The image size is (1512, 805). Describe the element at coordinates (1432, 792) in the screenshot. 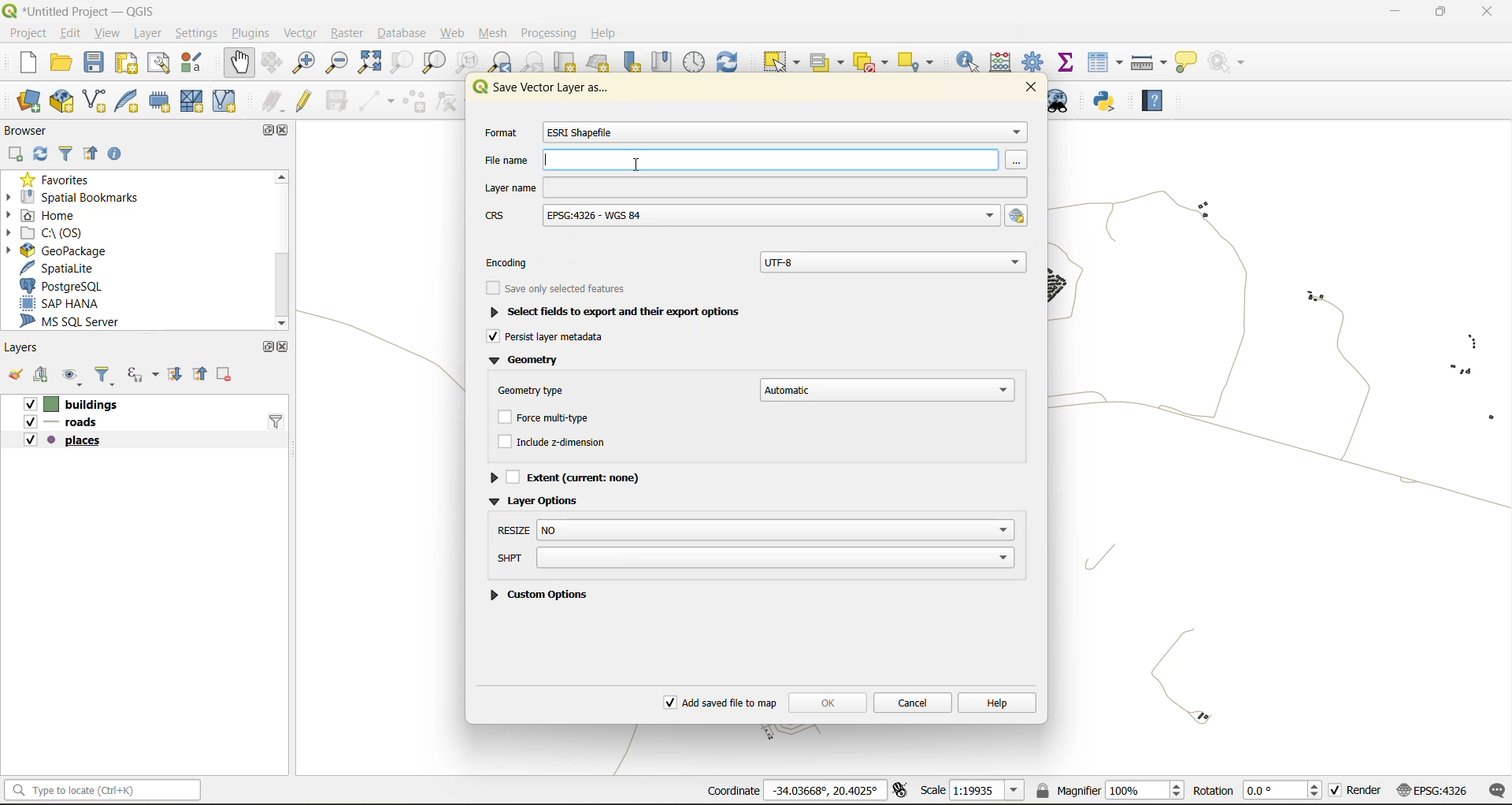

I see `crs` at that location.